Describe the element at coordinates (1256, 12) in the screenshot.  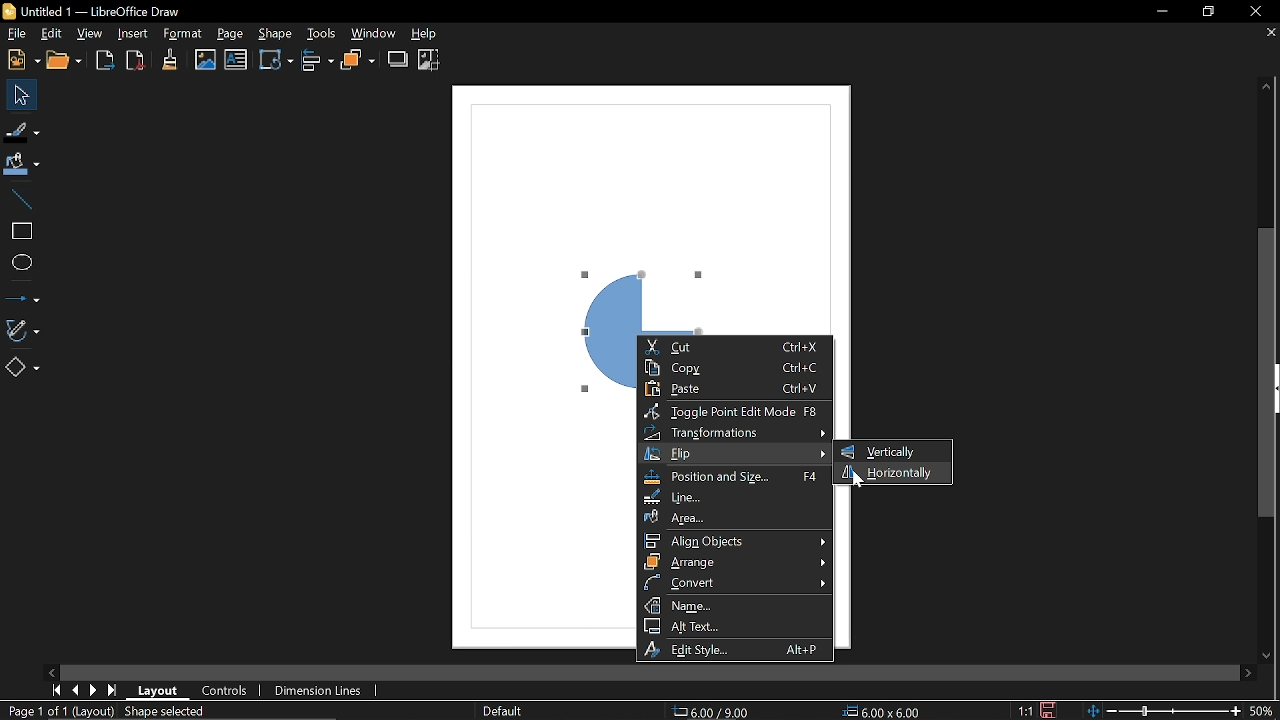
I see `Close` at that location.